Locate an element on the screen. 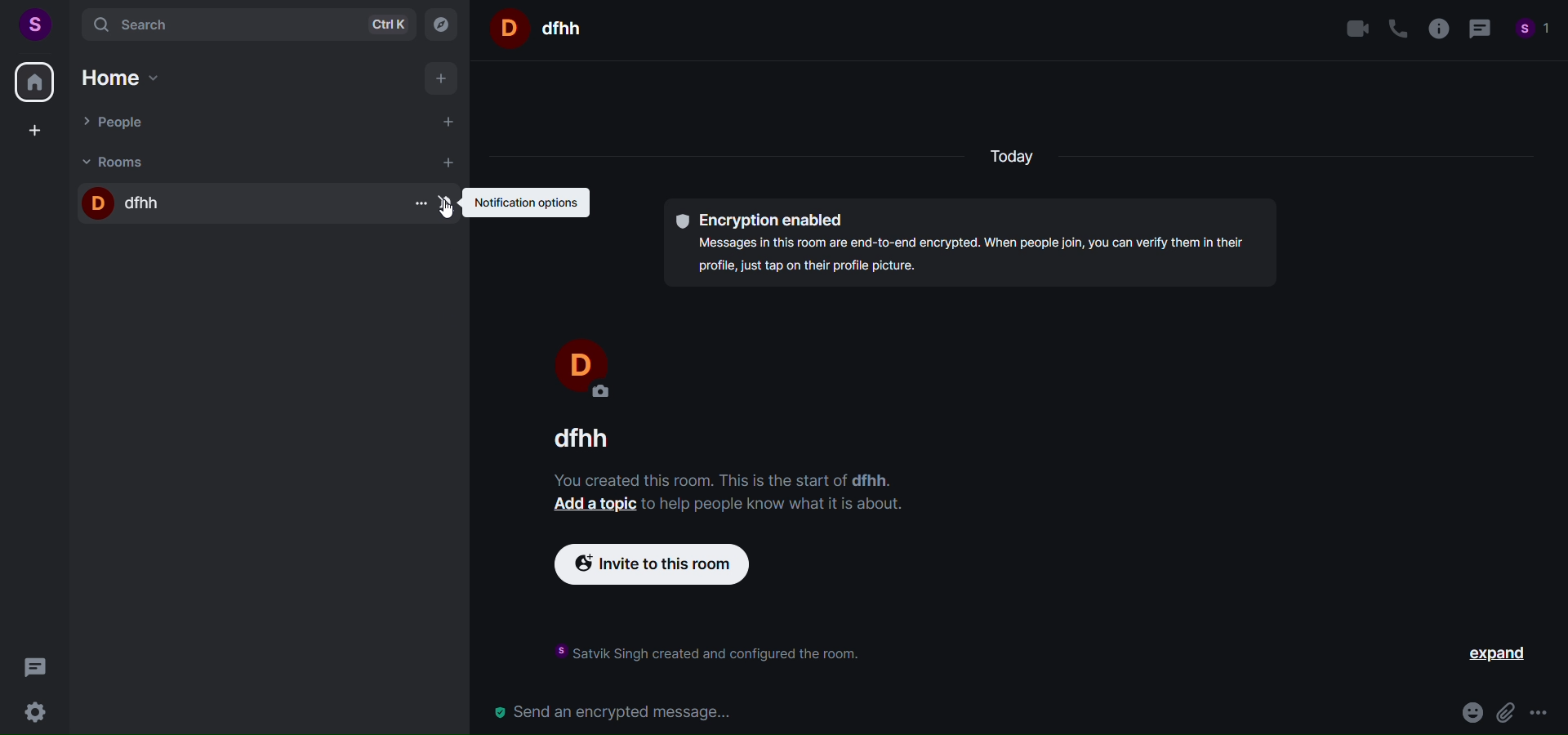  expand is located at coordinates (1495, 653).